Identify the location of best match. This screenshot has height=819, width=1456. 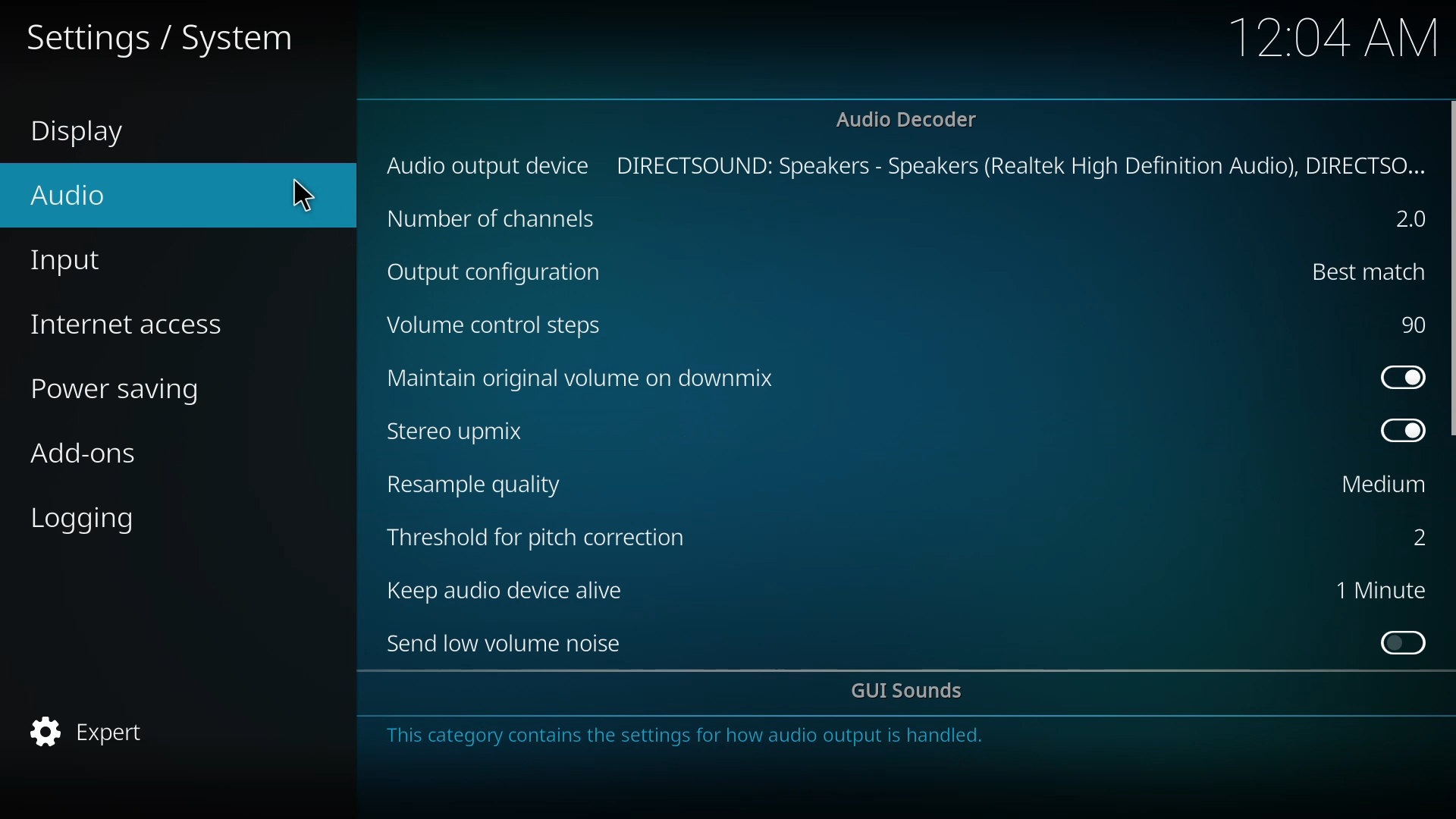
(1366, 271).